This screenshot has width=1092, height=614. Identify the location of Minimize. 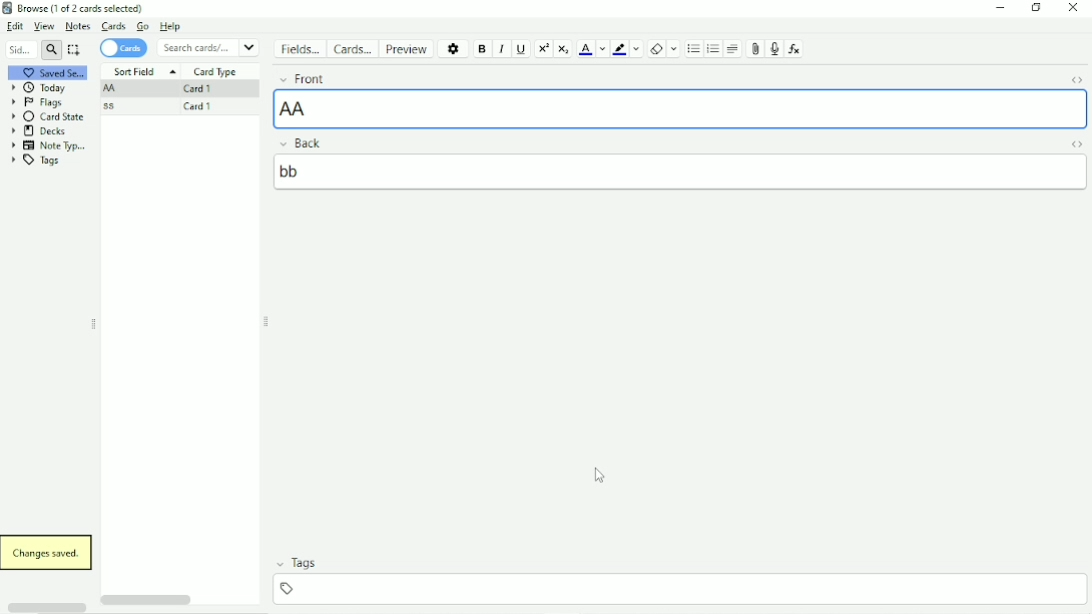
(999, 8).